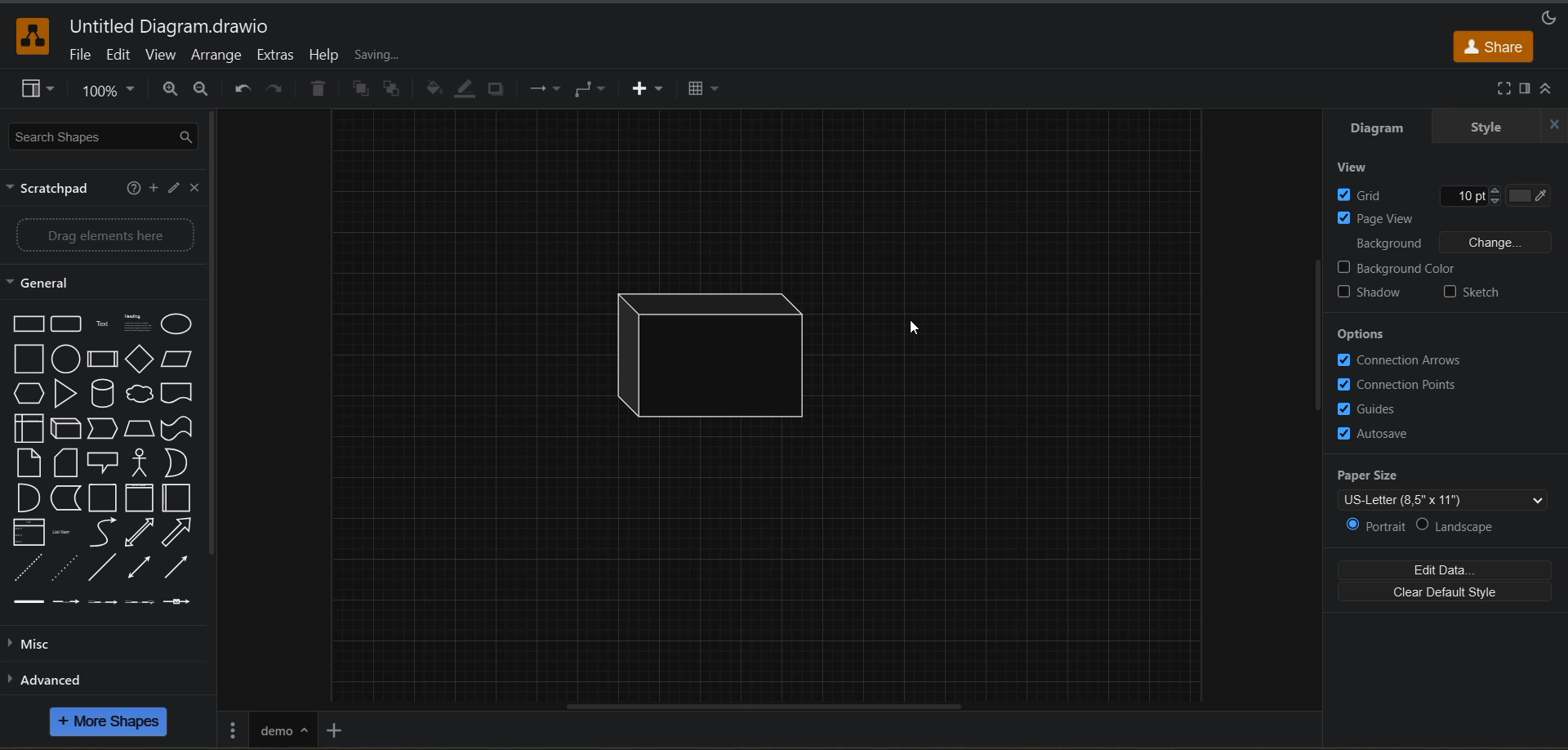 Image resolution: width=1568 pixels, height=750 pixels. I want to click on close, so click(196, 190).